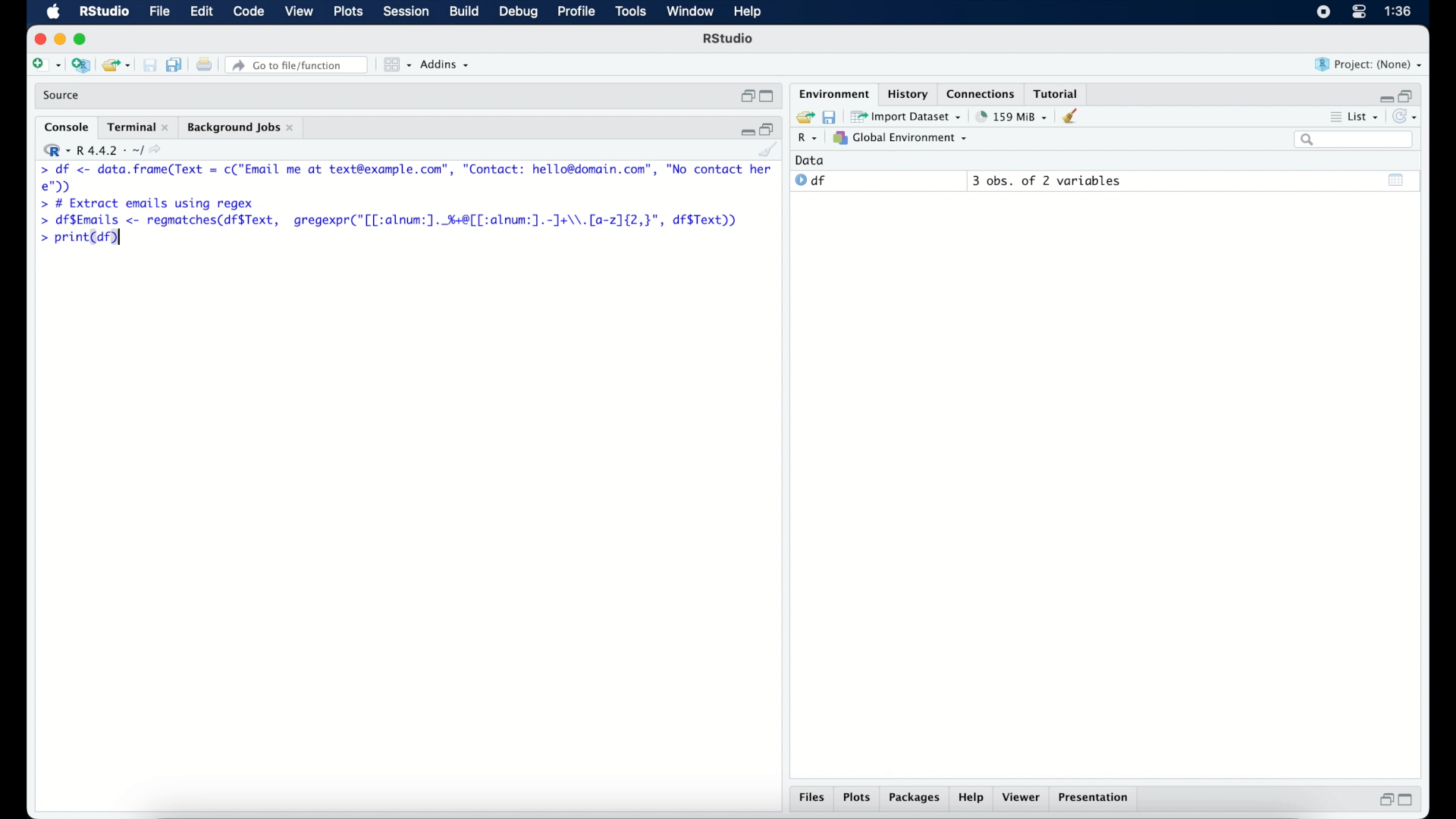  What do you see at coordinates (64, 126) in the screenshot?
I see `console` at bounding box center [64, 126].